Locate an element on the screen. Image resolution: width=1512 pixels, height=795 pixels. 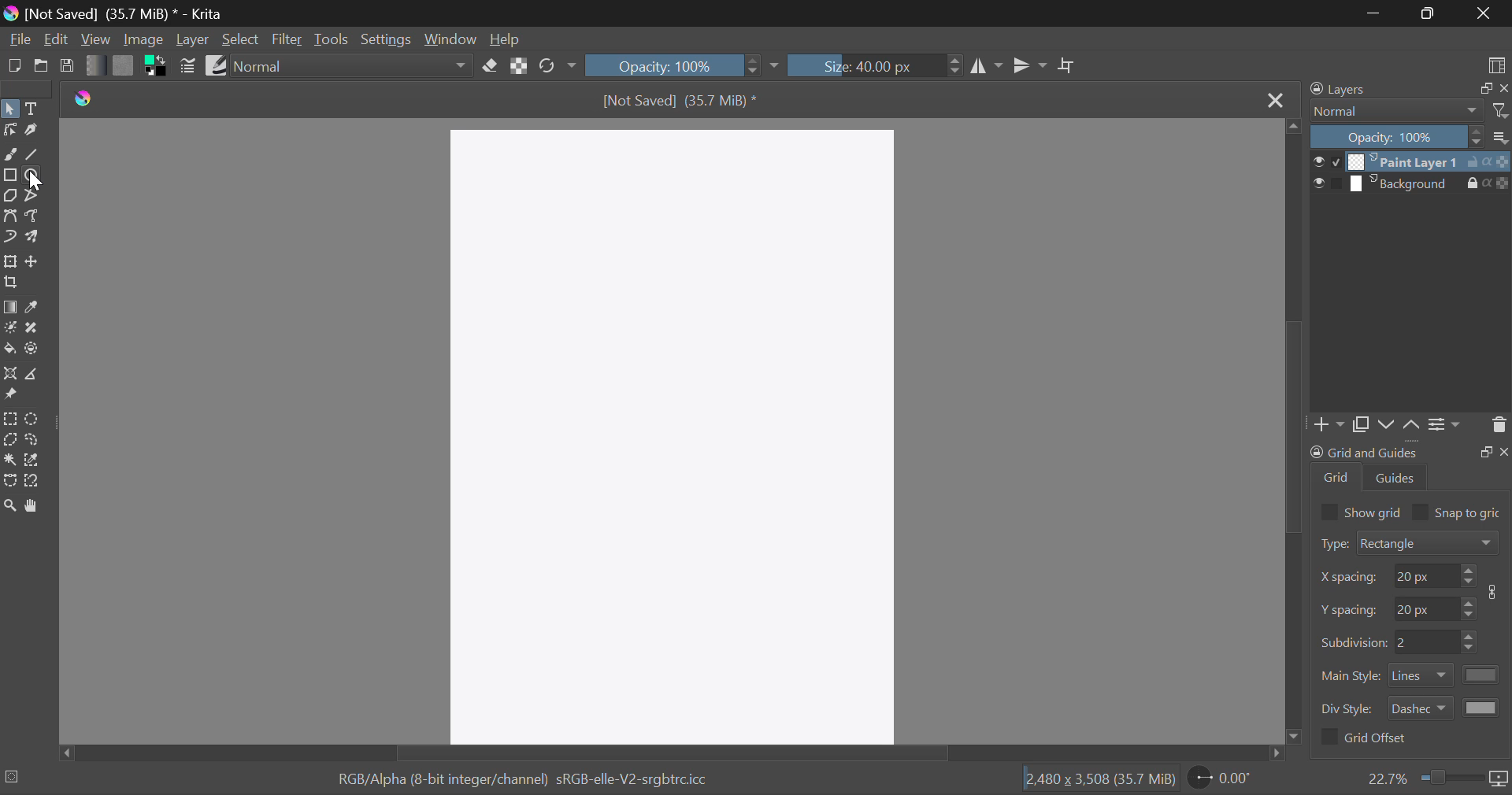
Grid Characteristic Input is located at coordinates (1413, 643).